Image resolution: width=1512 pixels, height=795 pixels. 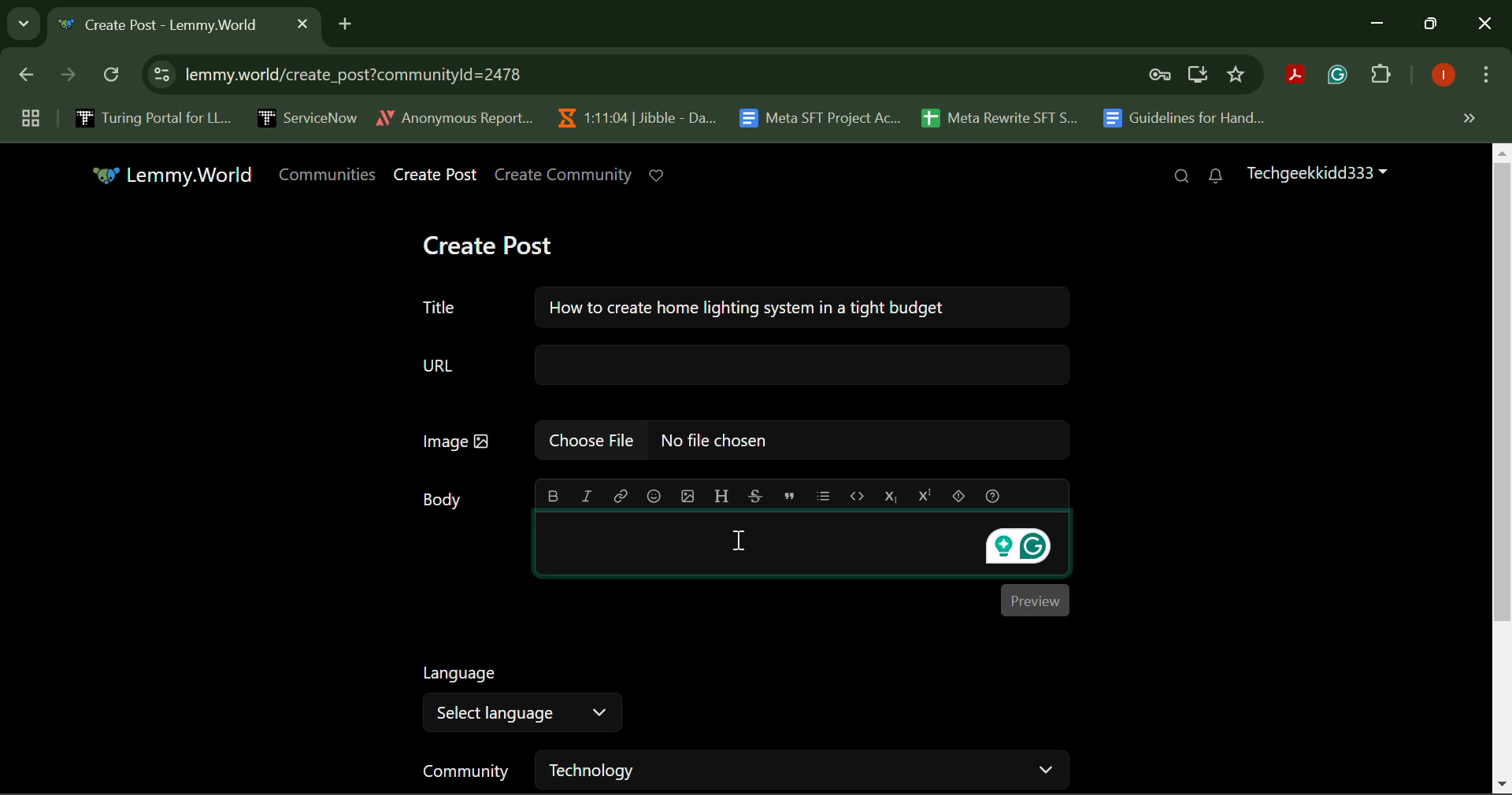 I want to click on Minimize Down, so click(x=1380, y=24).